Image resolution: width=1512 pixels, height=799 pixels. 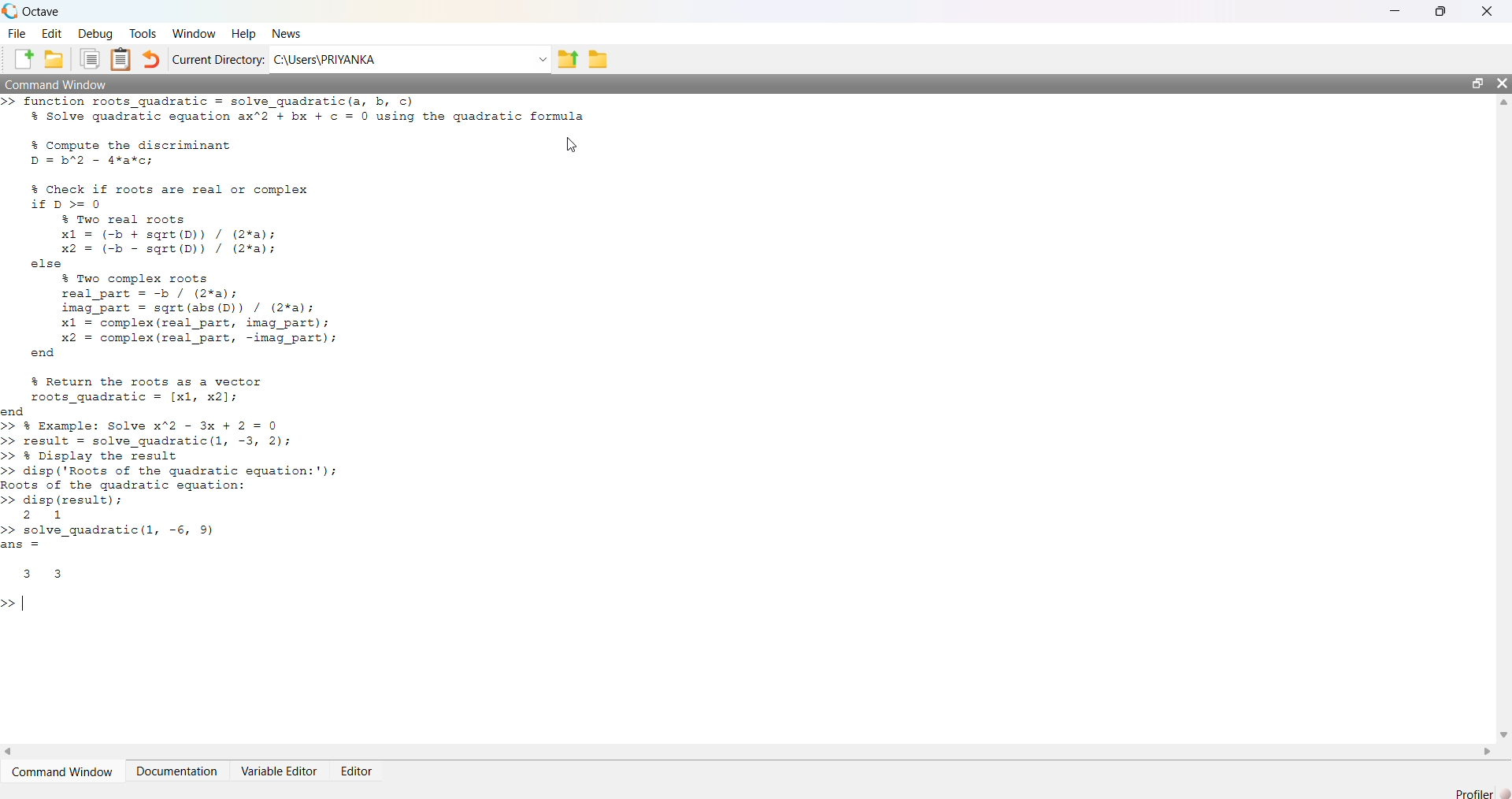 What do you see at coordinates (569, 58) in the screenshot?
I see `one directory up` at bounding box center [569, 58].